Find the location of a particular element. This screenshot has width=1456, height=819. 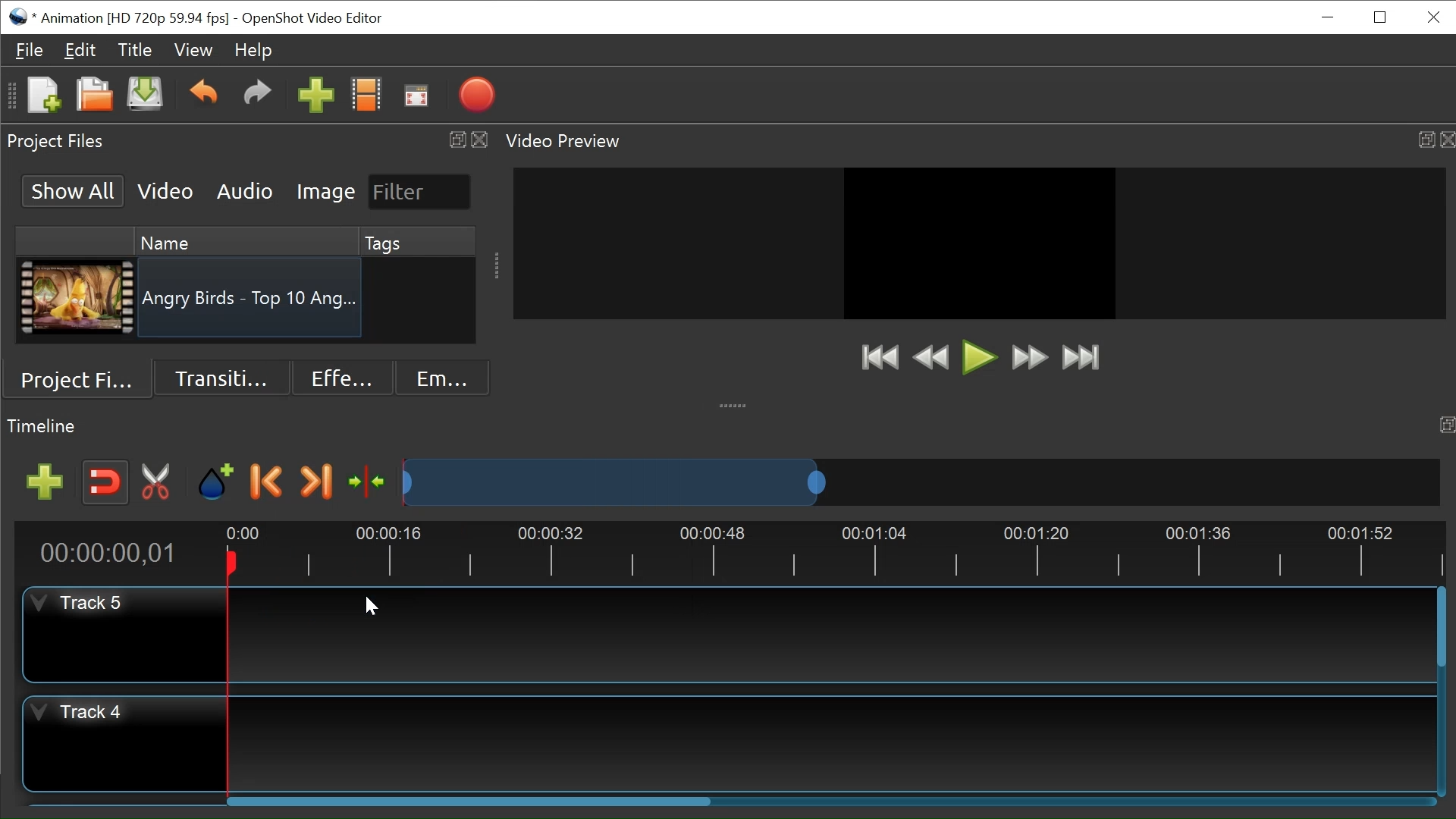

Video is located at coordinates (166, 190).